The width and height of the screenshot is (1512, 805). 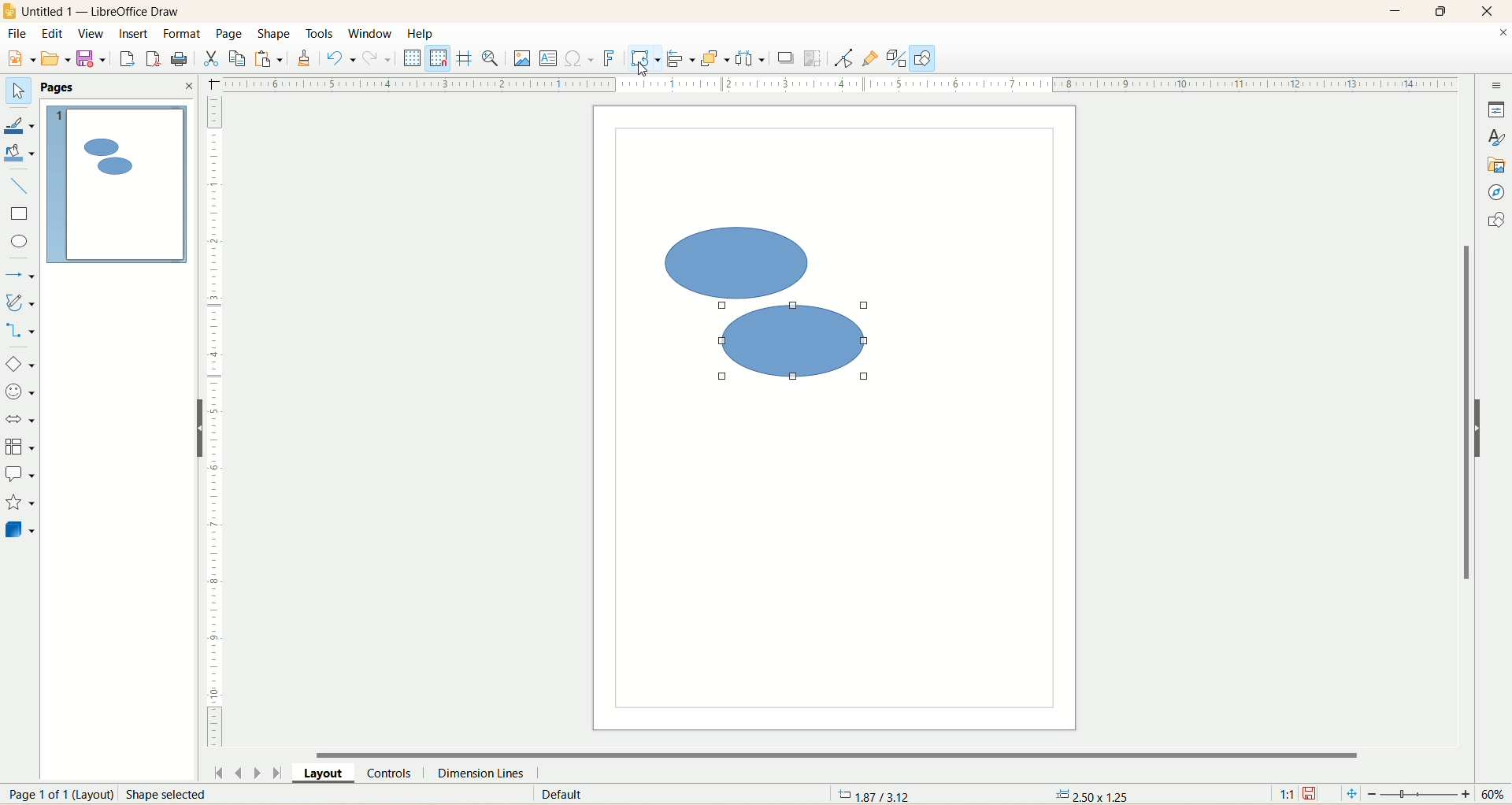 I want to click on layout, so click(x=327, y=772).